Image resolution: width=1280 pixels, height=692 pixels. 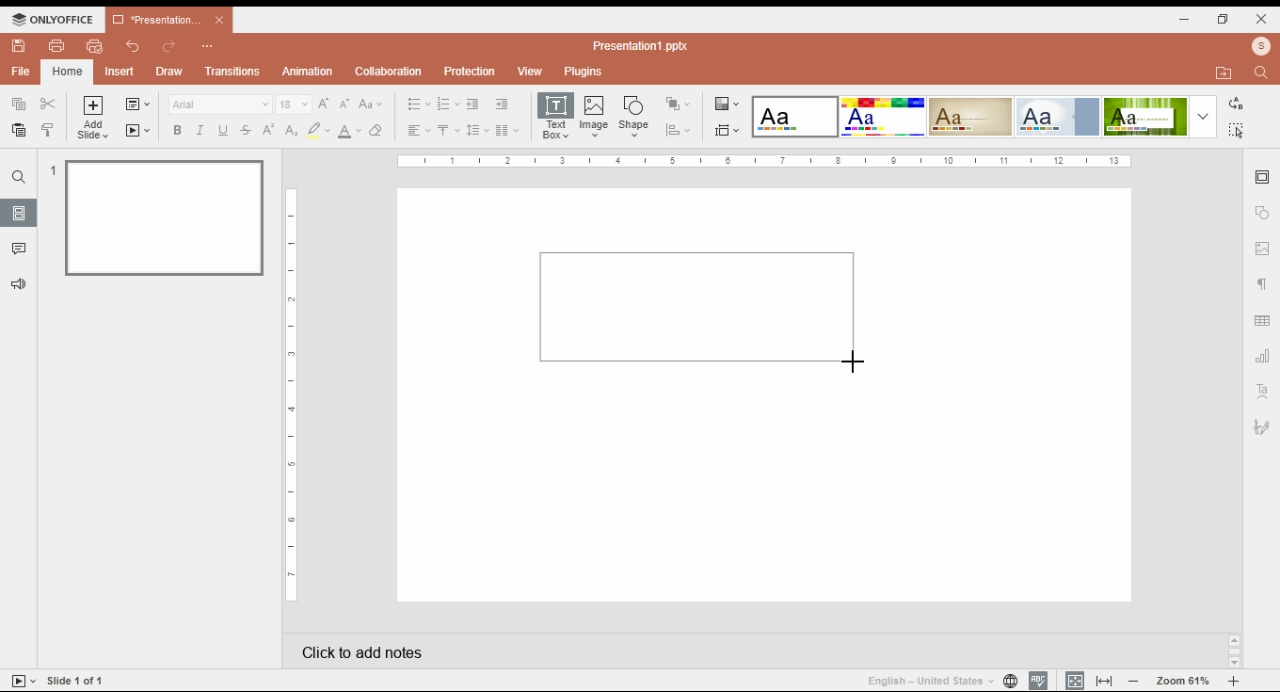 I want to click on transitions, so click(x=233, y=73).